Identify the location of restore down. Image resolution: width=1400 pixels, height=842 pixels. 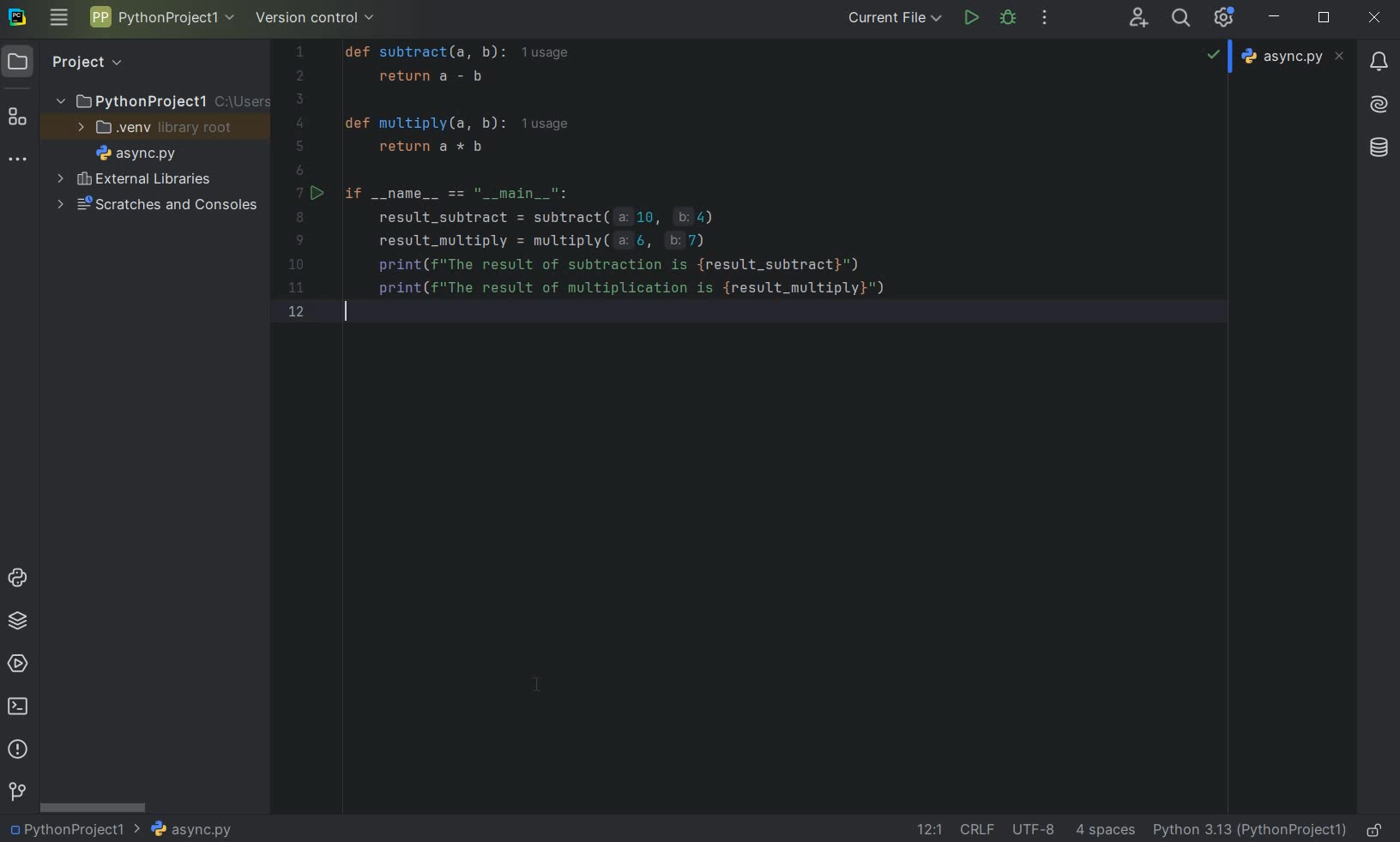
(1326, 18).